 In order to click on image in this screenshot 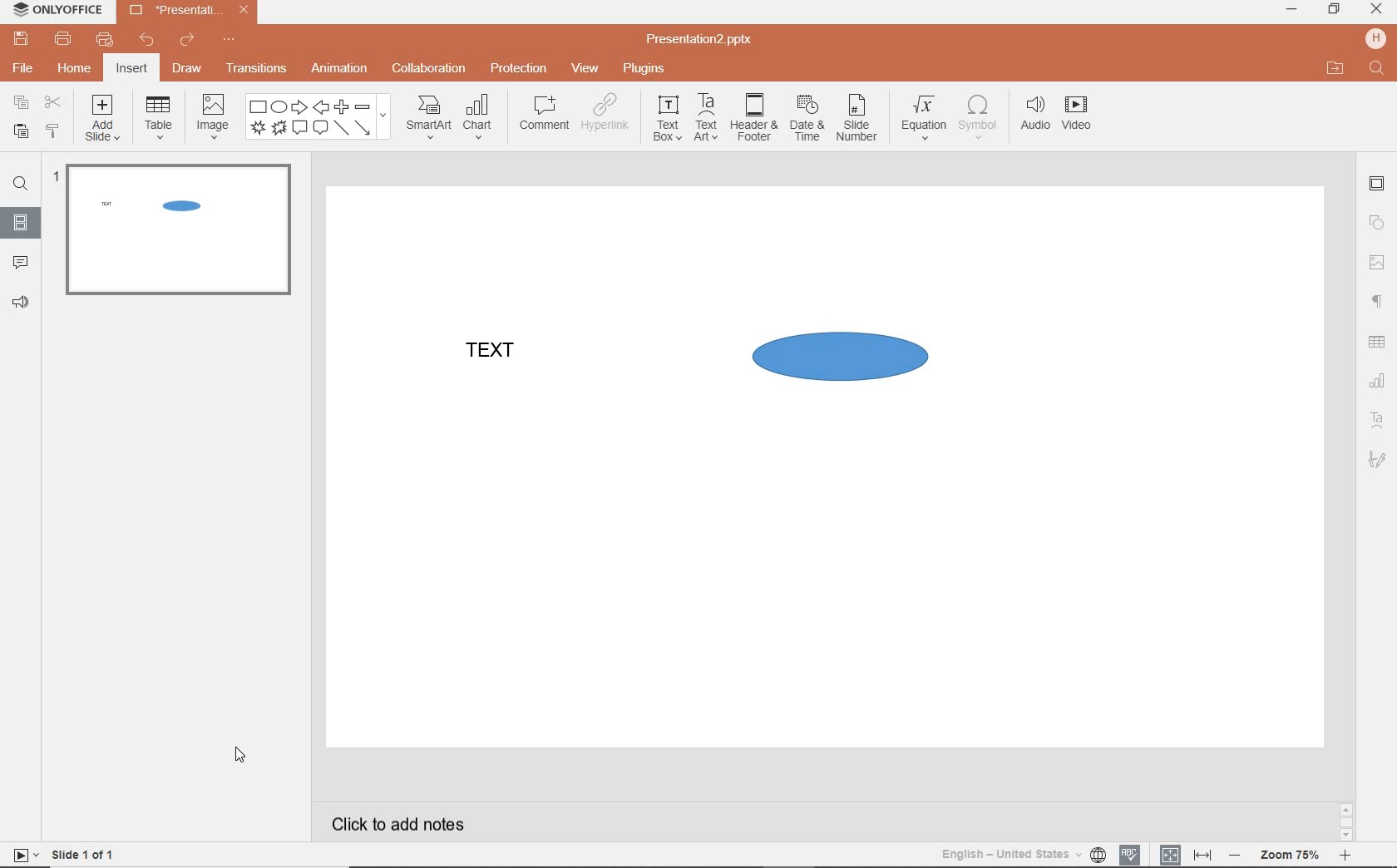, I will do `click(210, 116)`.